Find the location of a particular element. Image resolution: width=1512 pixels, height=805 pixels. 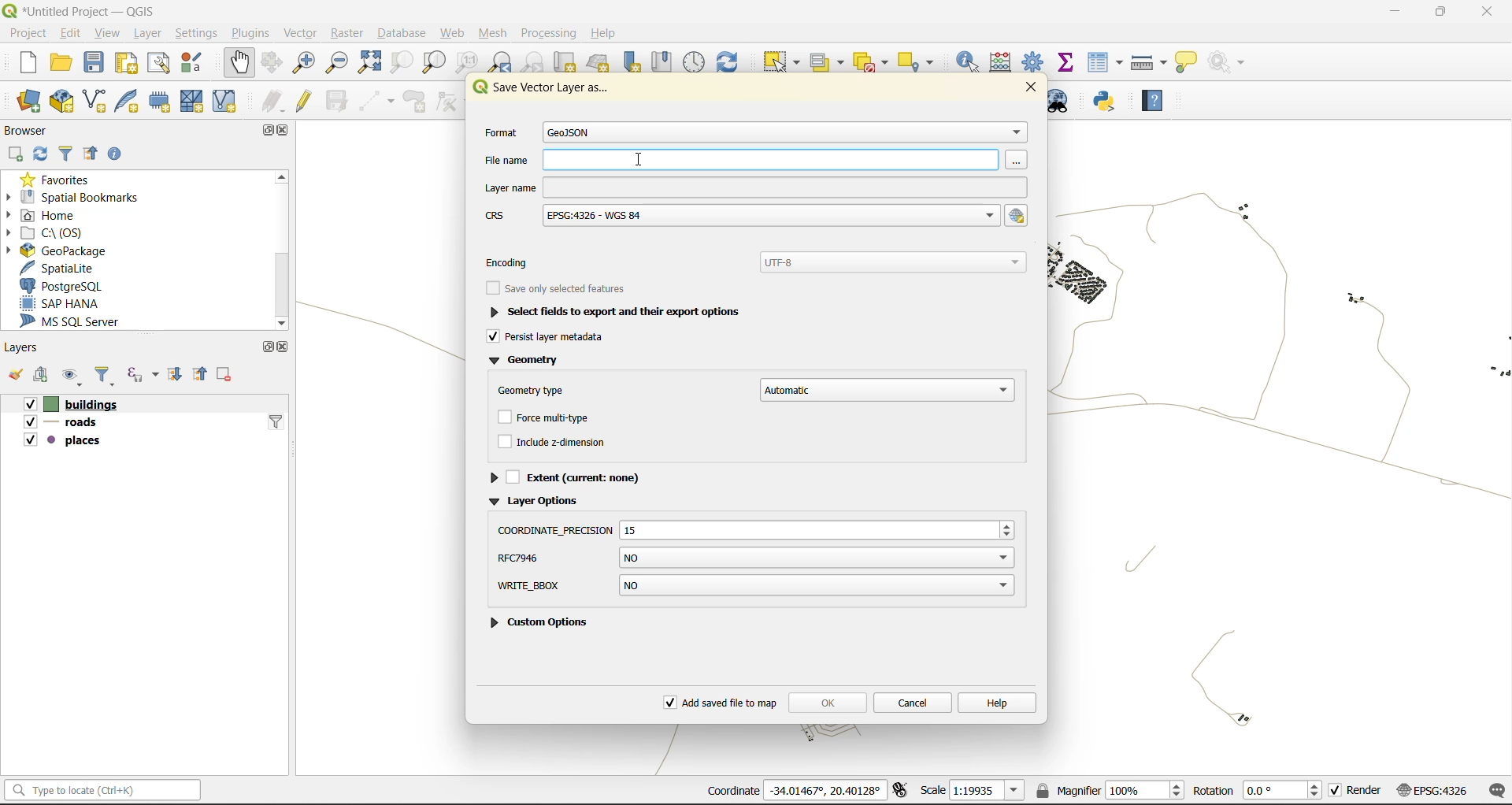

metasearch is located at coordinates (1064, 102).